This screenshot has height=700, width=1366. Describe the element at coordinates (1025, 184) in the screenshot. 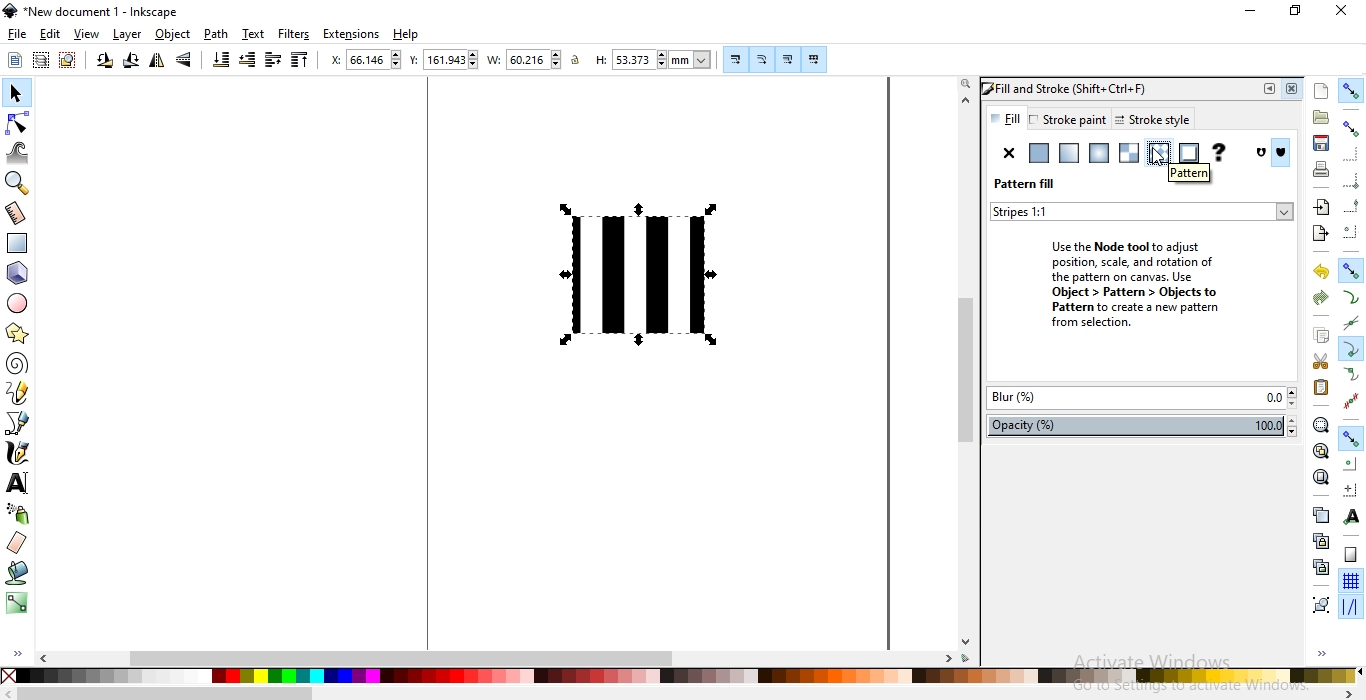

I see `pattern fill` at that location.